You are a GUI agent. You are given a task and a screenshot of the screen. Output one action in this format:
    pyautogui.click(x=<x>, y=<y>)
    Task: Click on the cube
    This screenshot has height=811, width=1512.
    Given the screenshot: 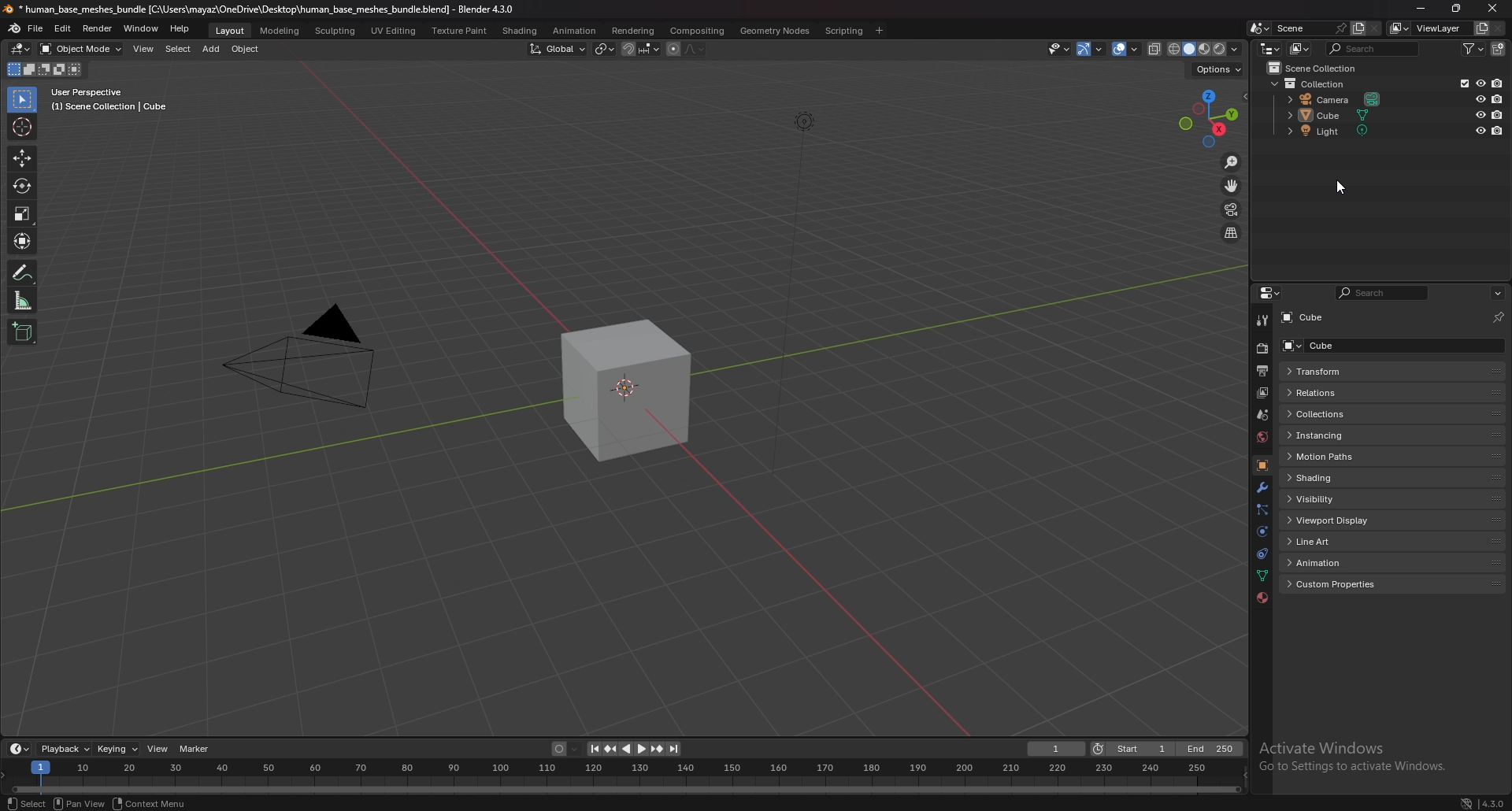 What is the action you would take?
    pyautogui.click(x=1307, y=318)
    